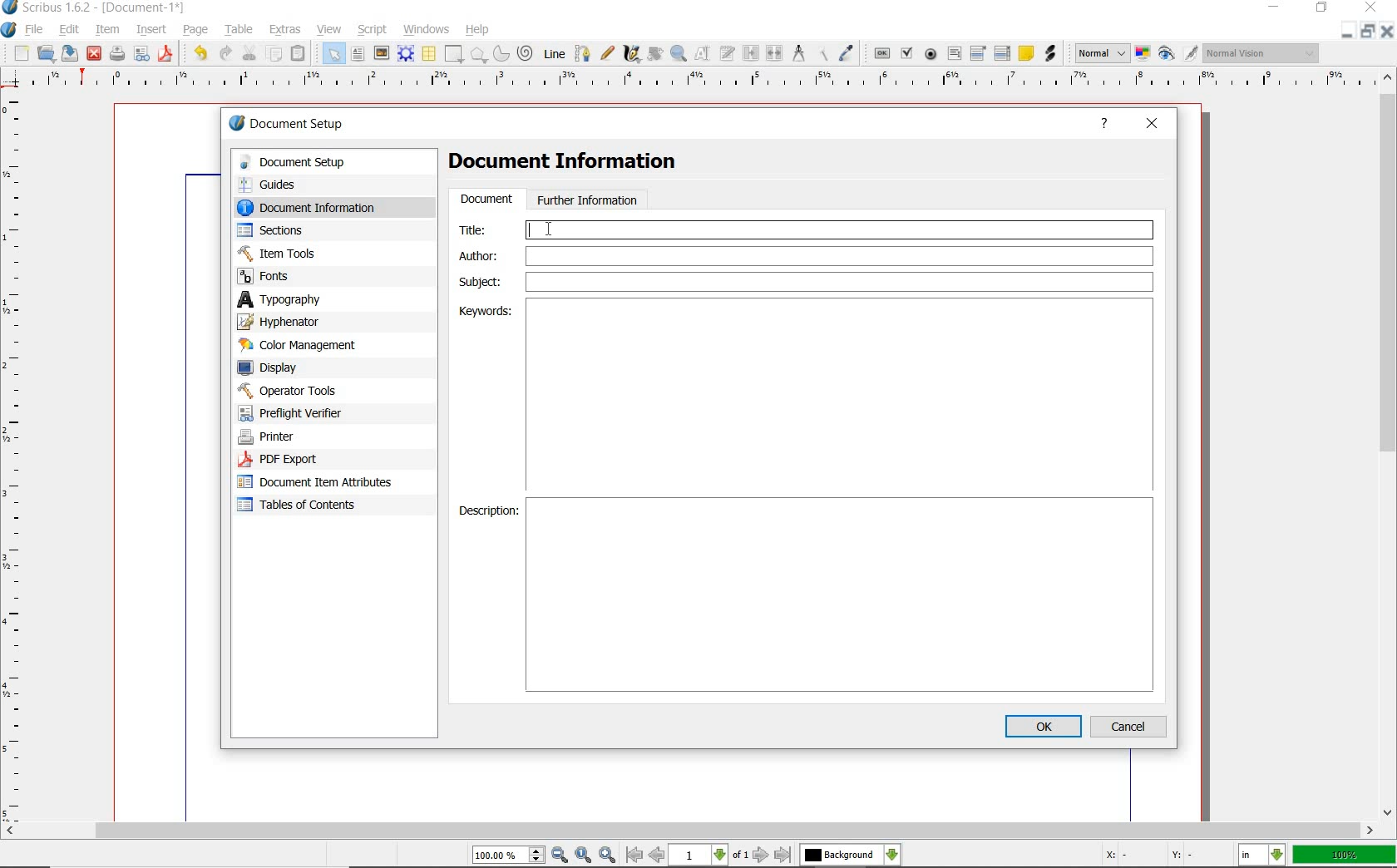  What do you see at coordinates (335, 53) in the screenshot?
I see `select` at bounding box center [335, 53].